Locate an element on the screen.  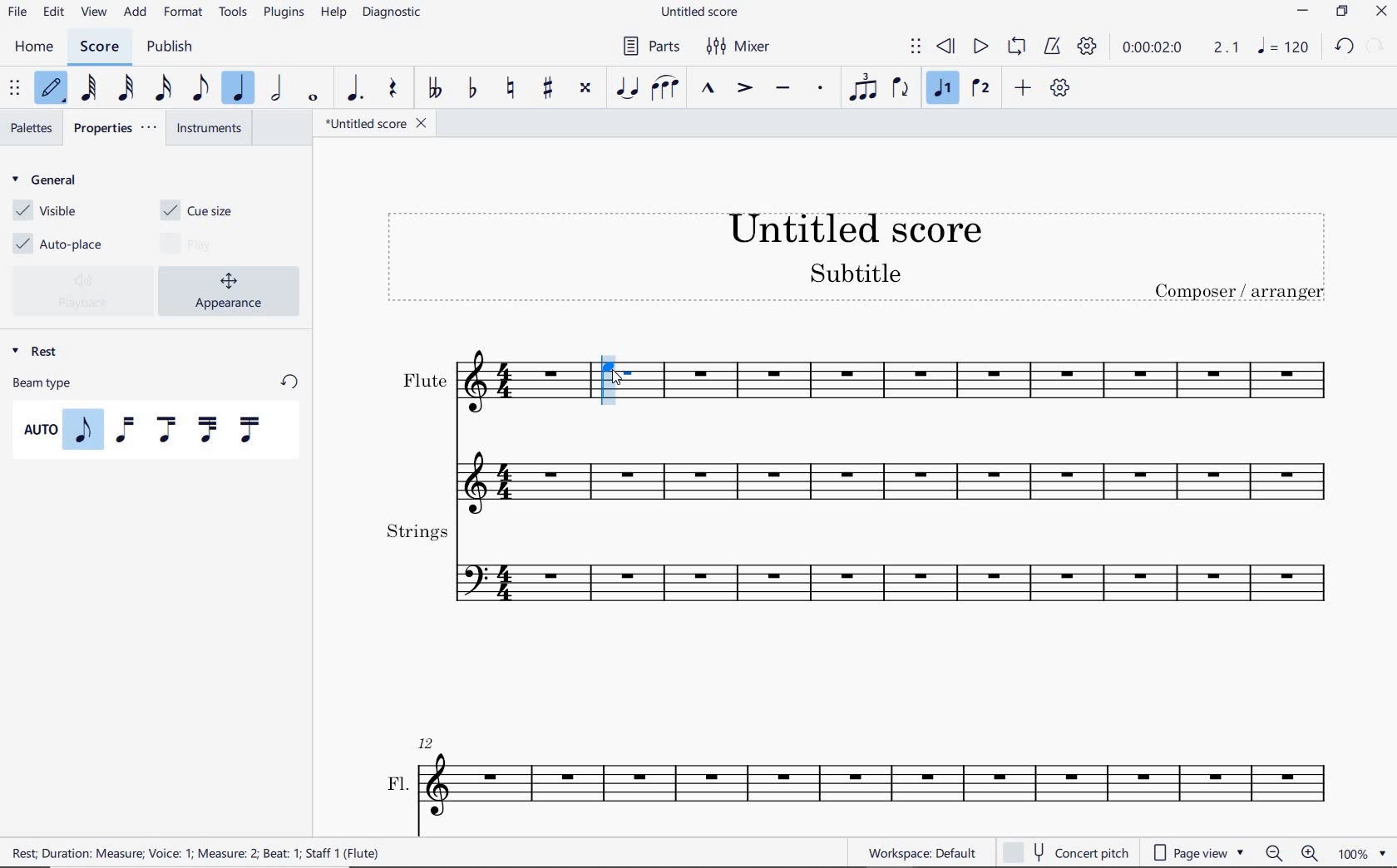
PLAYBACK SETTINGS is located at coordinates (1088, 49).